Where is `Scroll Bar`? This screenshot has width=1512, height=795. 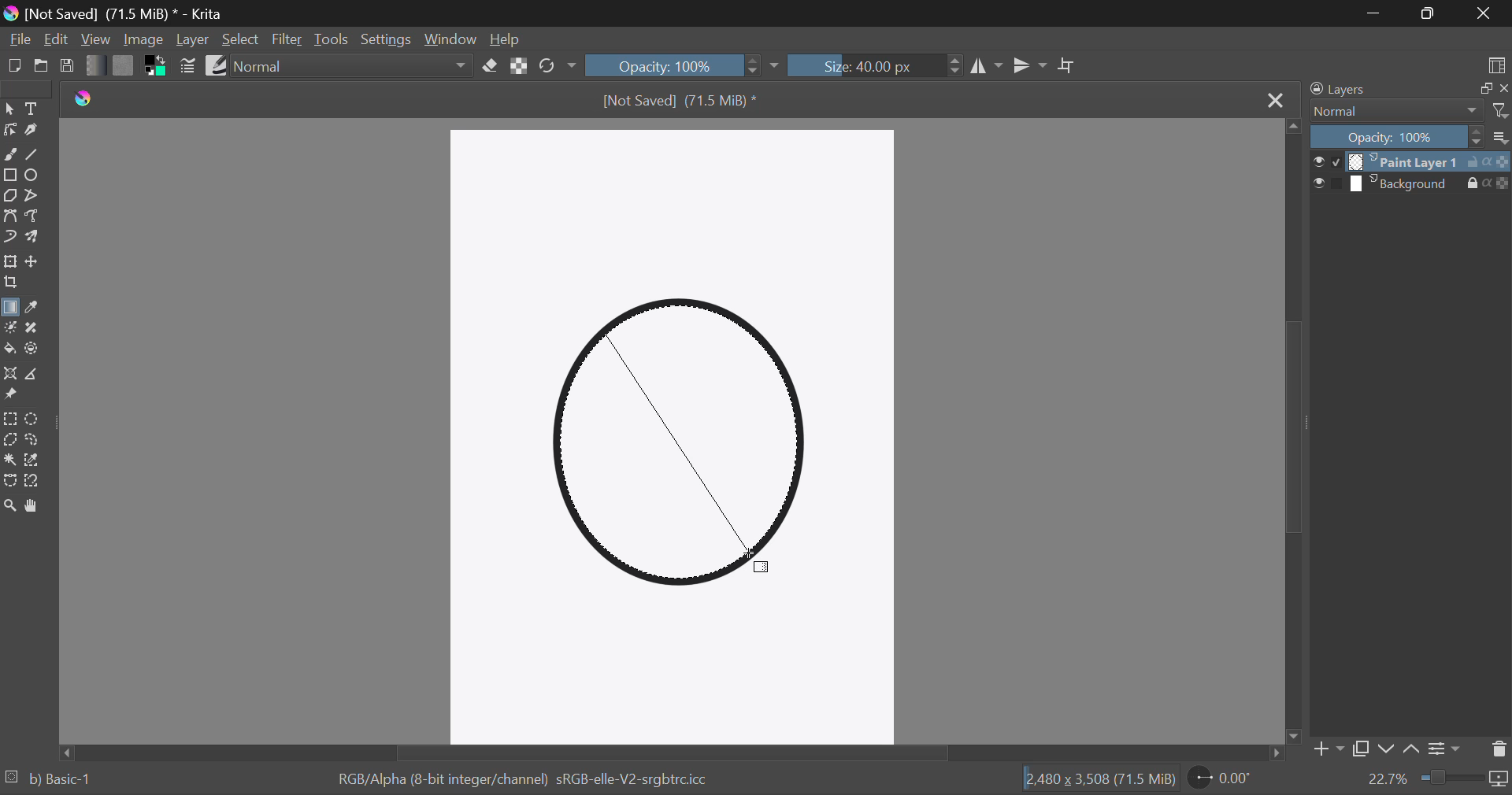
Scroll Bar is located at coordinates (670, 755).